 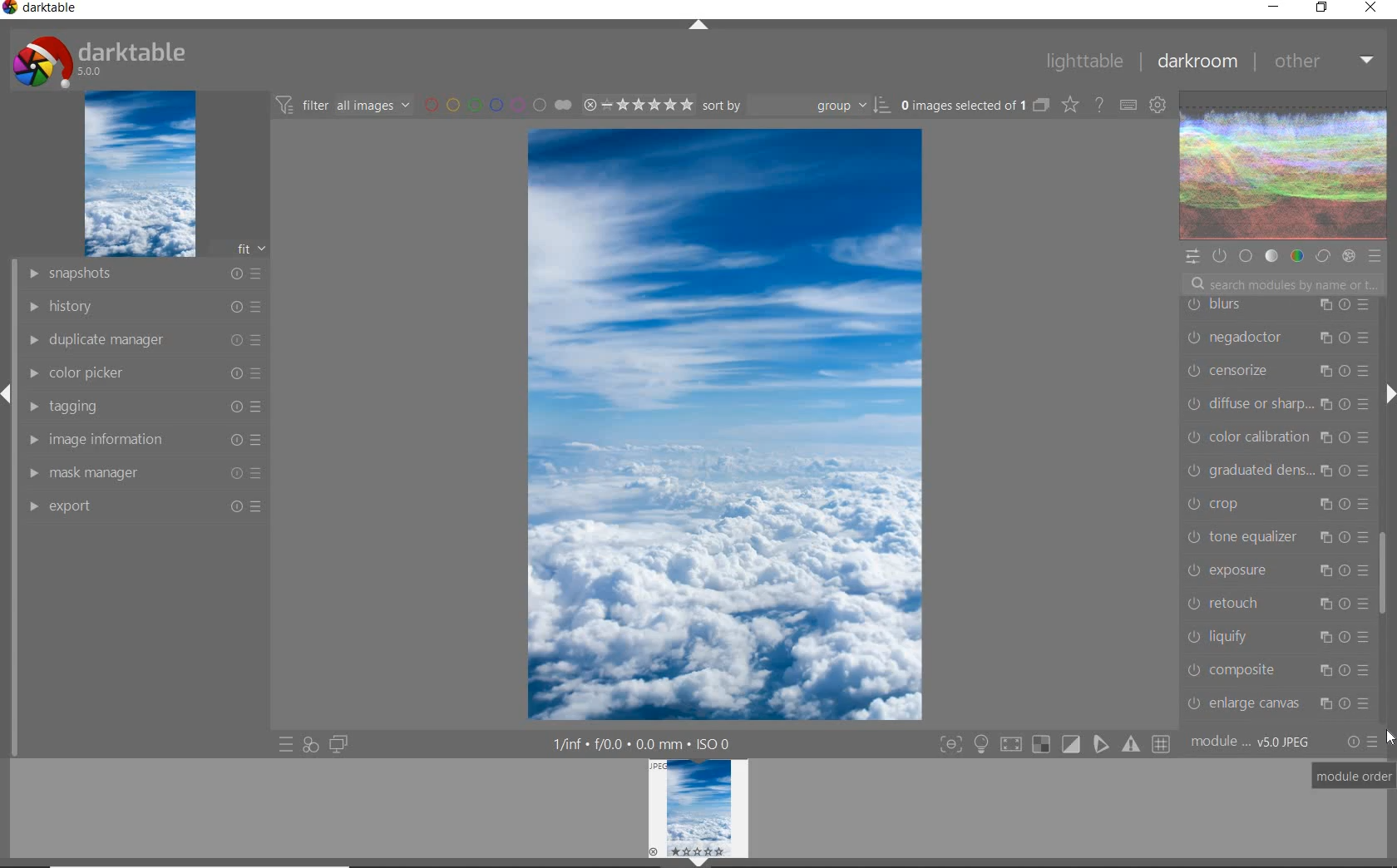 What do you see at coordinates (1276, 502) in the screenshot?
I see `crop` at bounding box center [1276, 502].